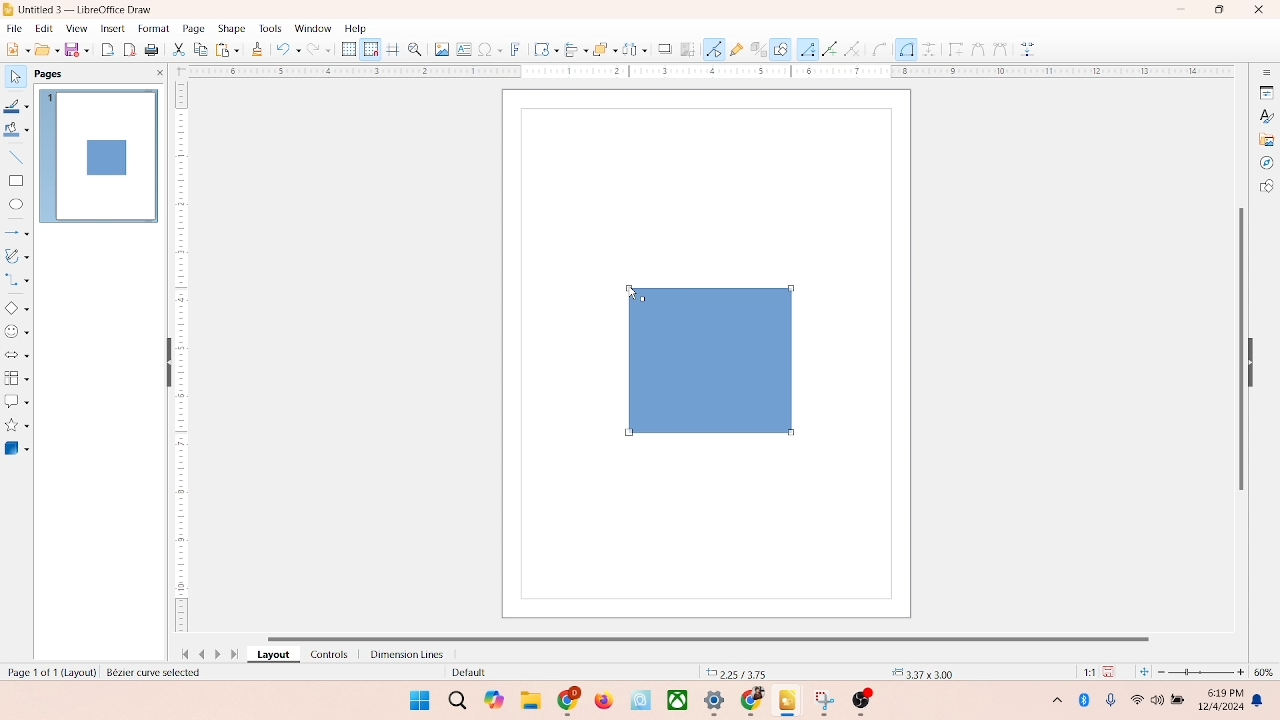  I want to click on search, so click(458, 701).